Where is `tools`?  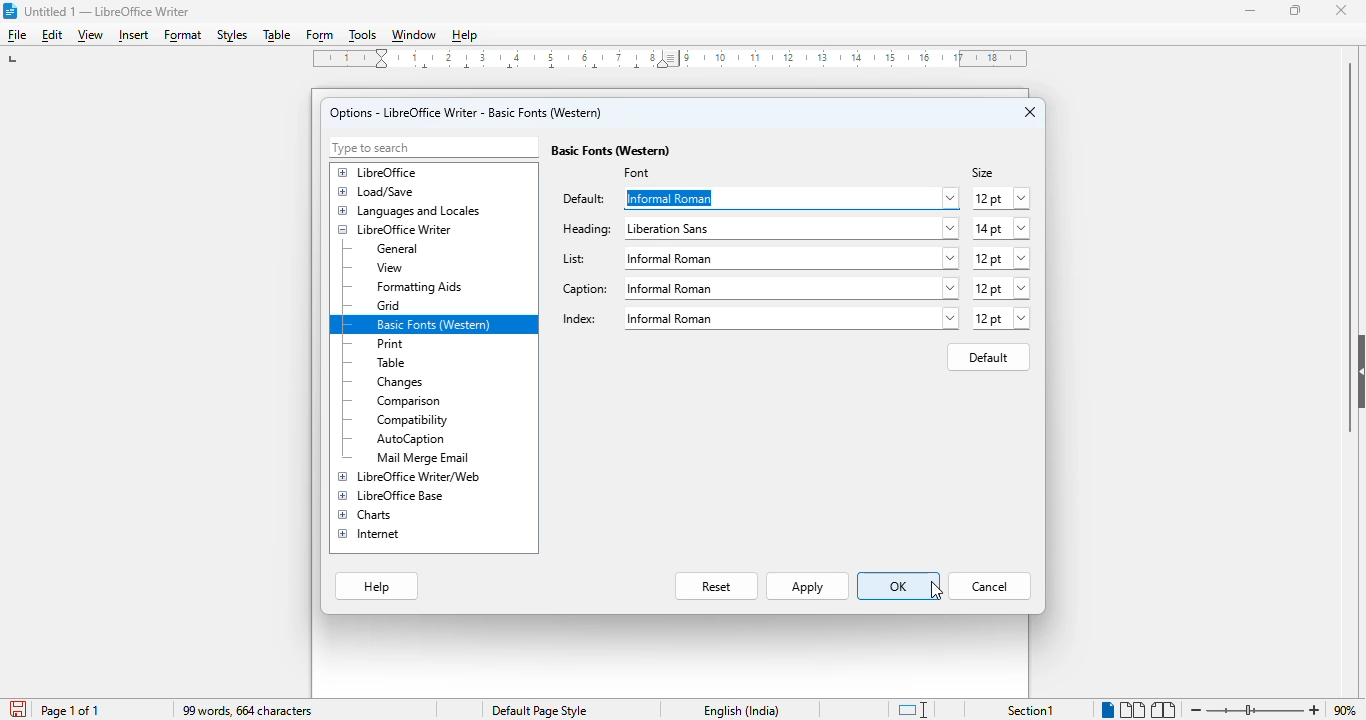
tools is located at coordinates (362, 37).